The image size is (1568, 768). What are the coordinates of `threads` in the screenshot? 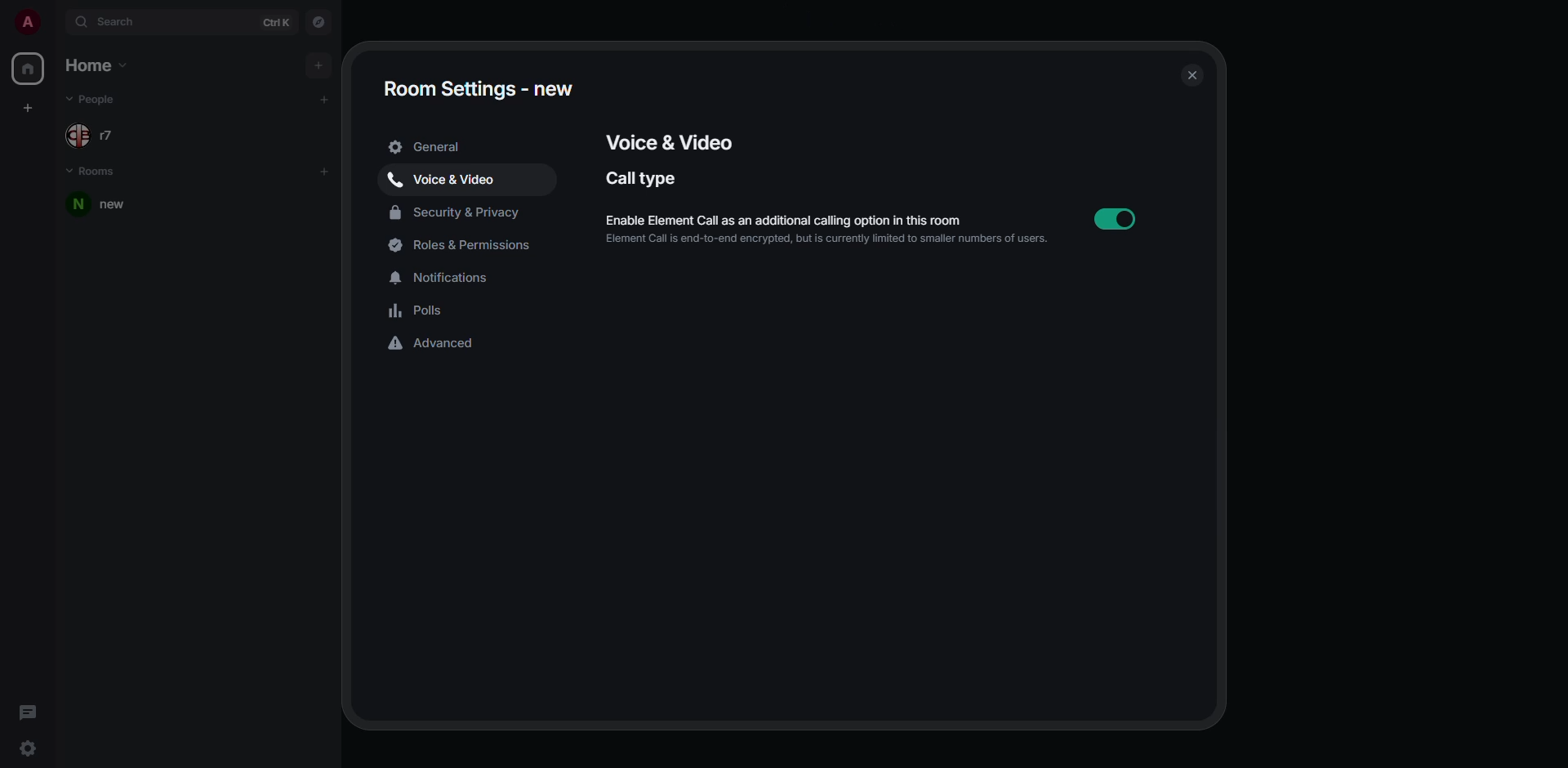 It's located at (27, 710).